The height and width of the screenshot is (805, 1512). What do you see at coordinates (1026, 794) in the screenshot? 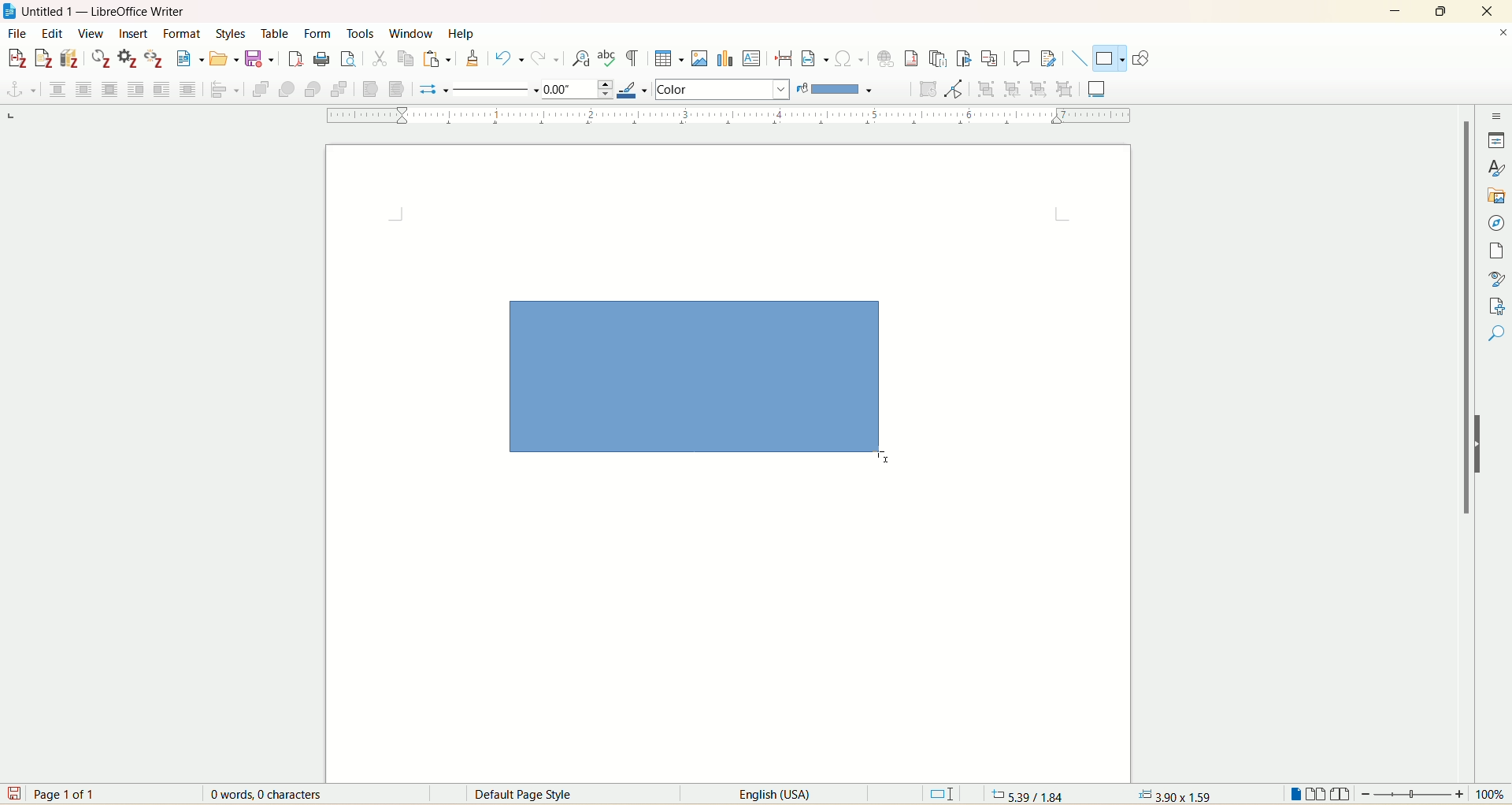
I see `5.39/1.84` at bounding box center [1026, 794].